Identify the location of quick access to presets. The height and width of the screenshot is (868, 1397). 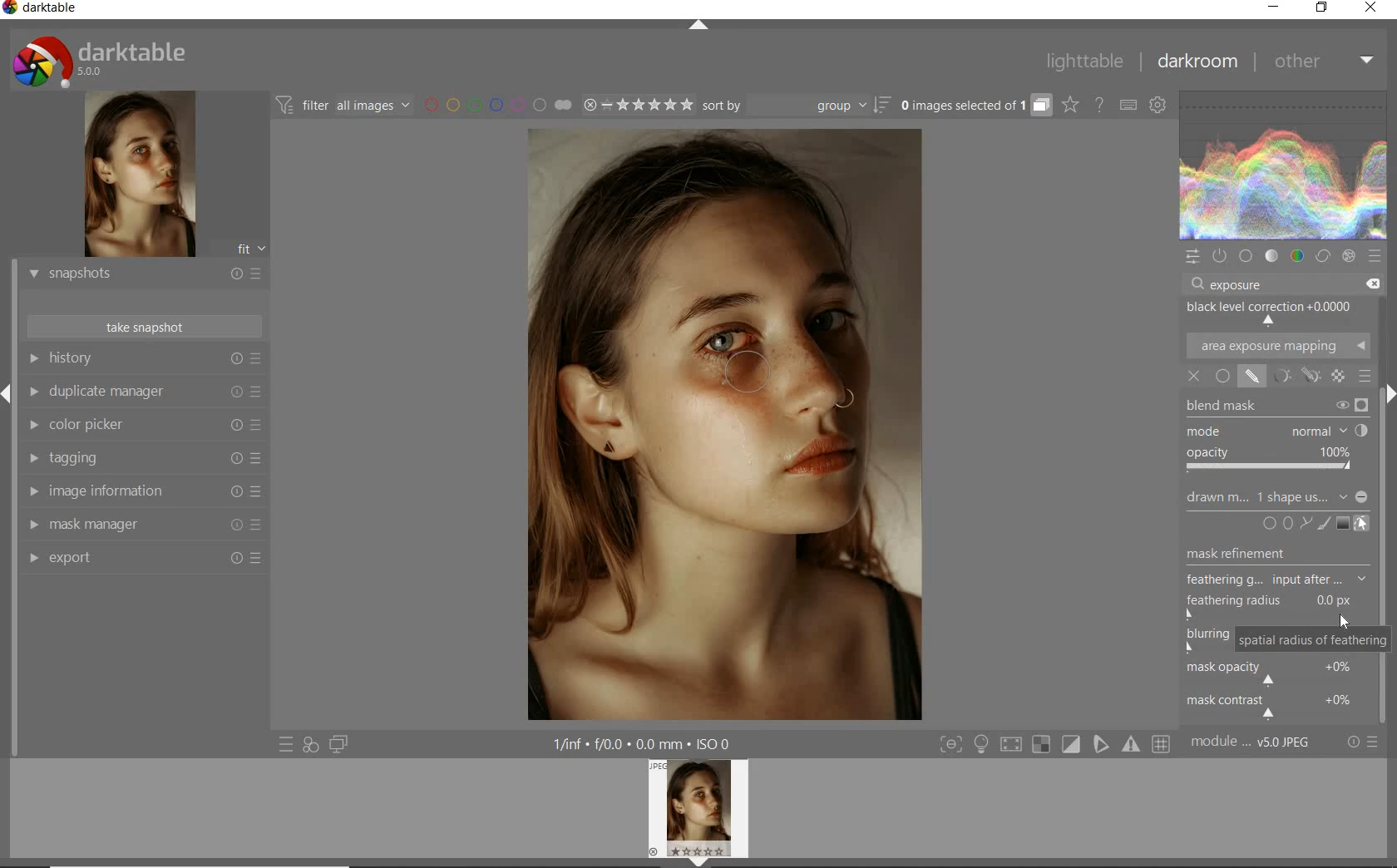
(287, 744).